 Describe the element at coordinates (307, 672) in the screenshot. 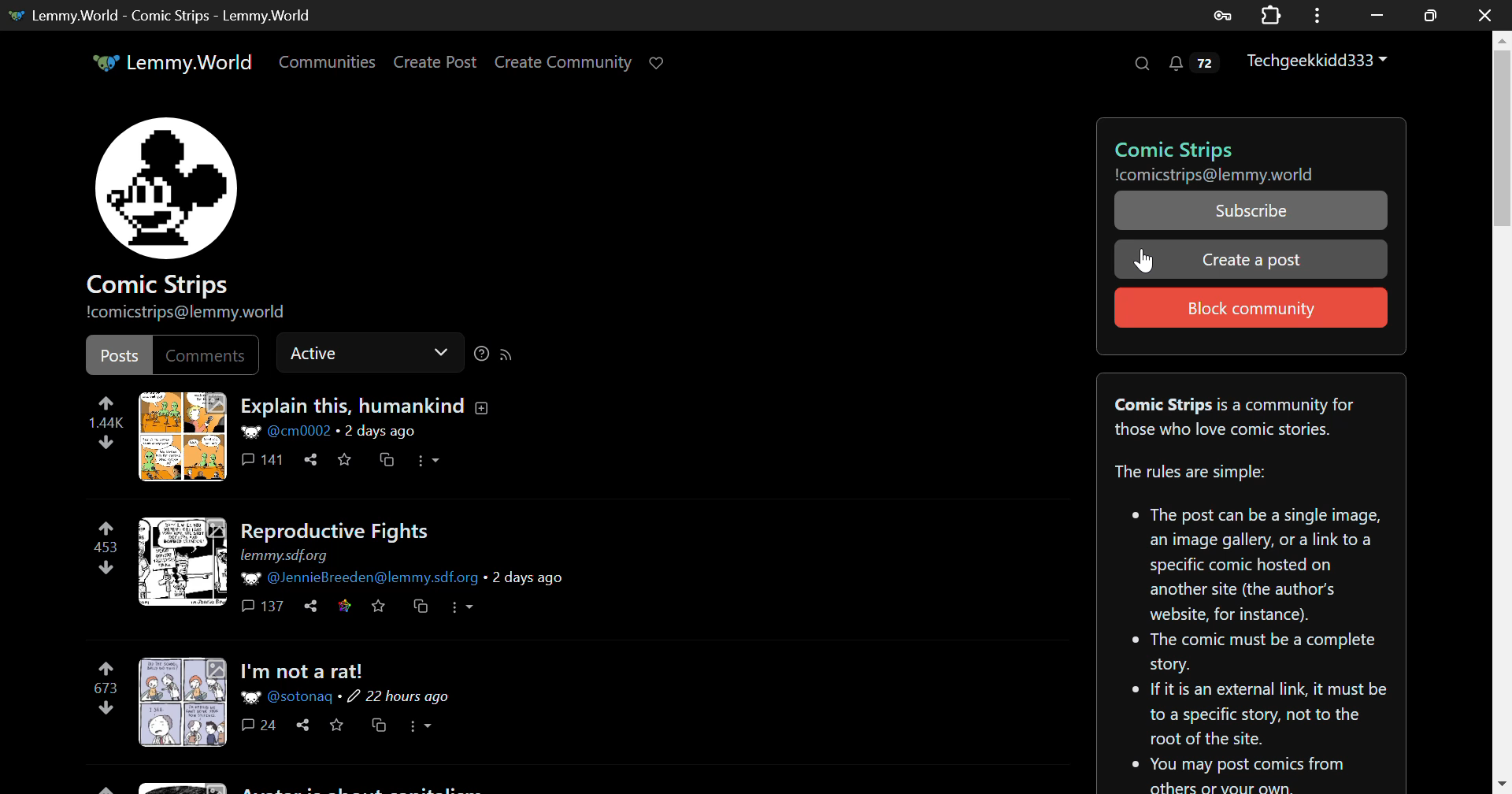

I see `I'm not a rat!` at that location.